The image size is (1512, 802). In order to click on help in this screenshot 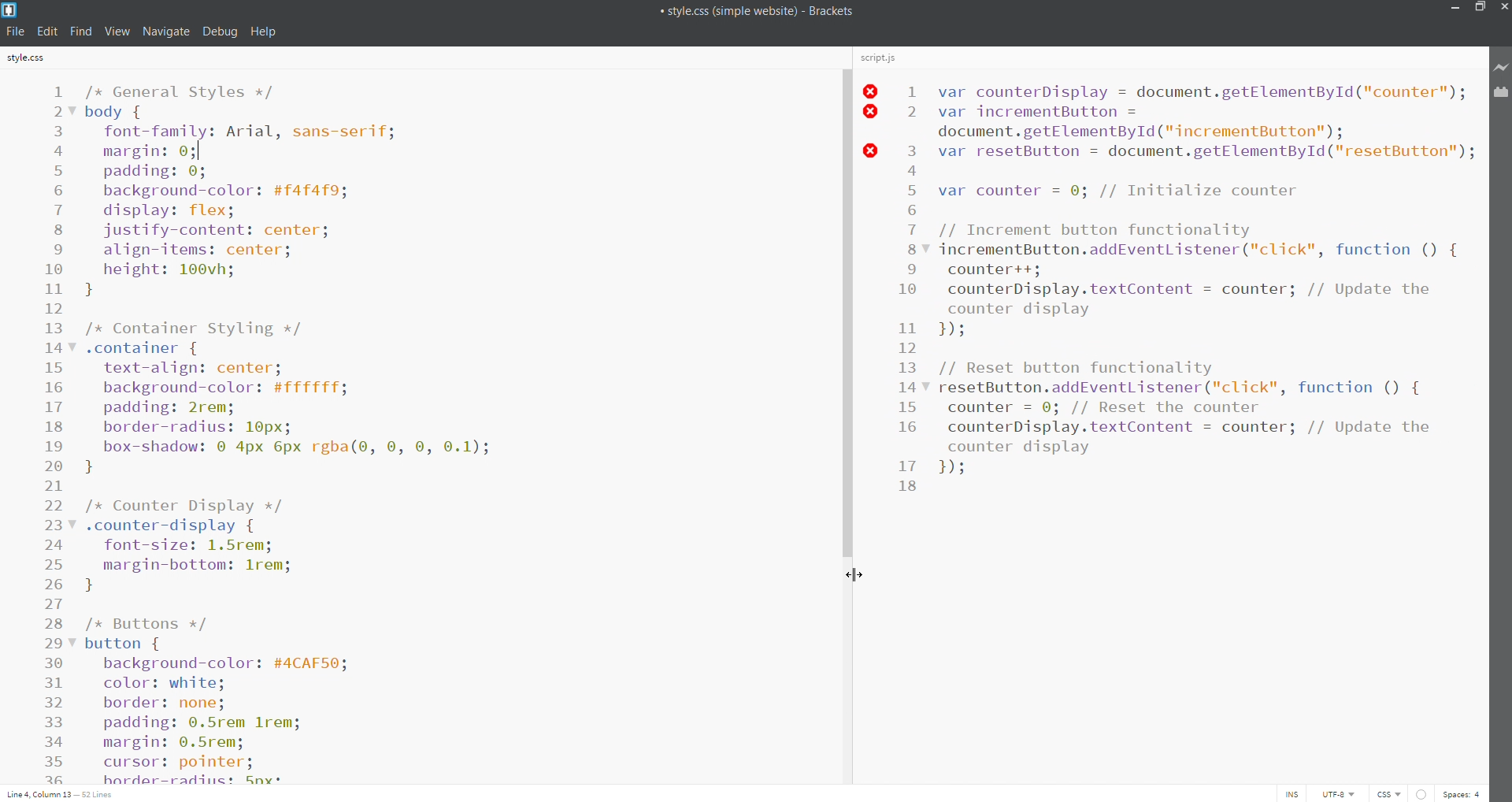, I will do `click(269, 32)`.